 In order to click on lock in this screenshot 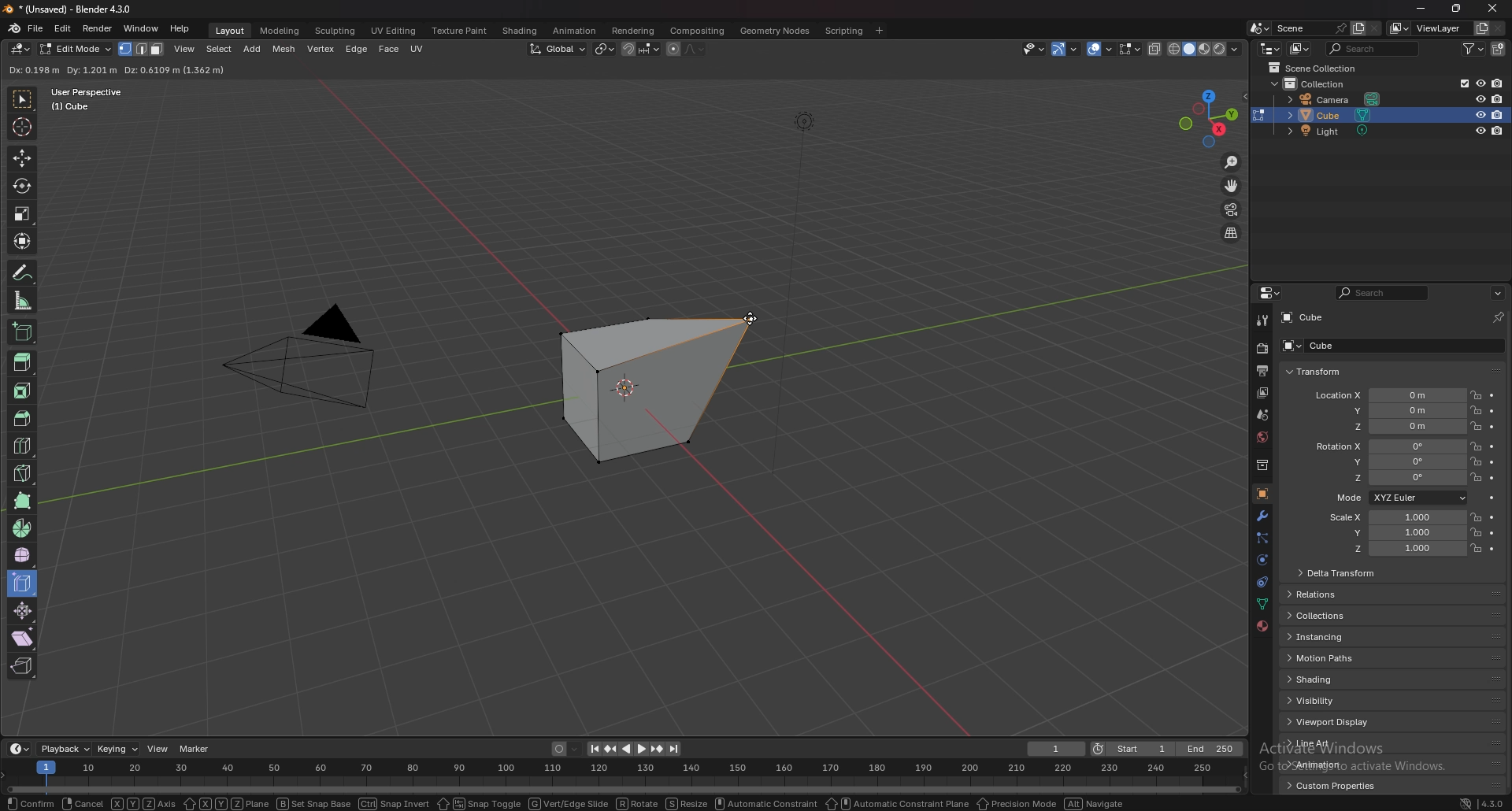, I will do `click(1476, 531)`.